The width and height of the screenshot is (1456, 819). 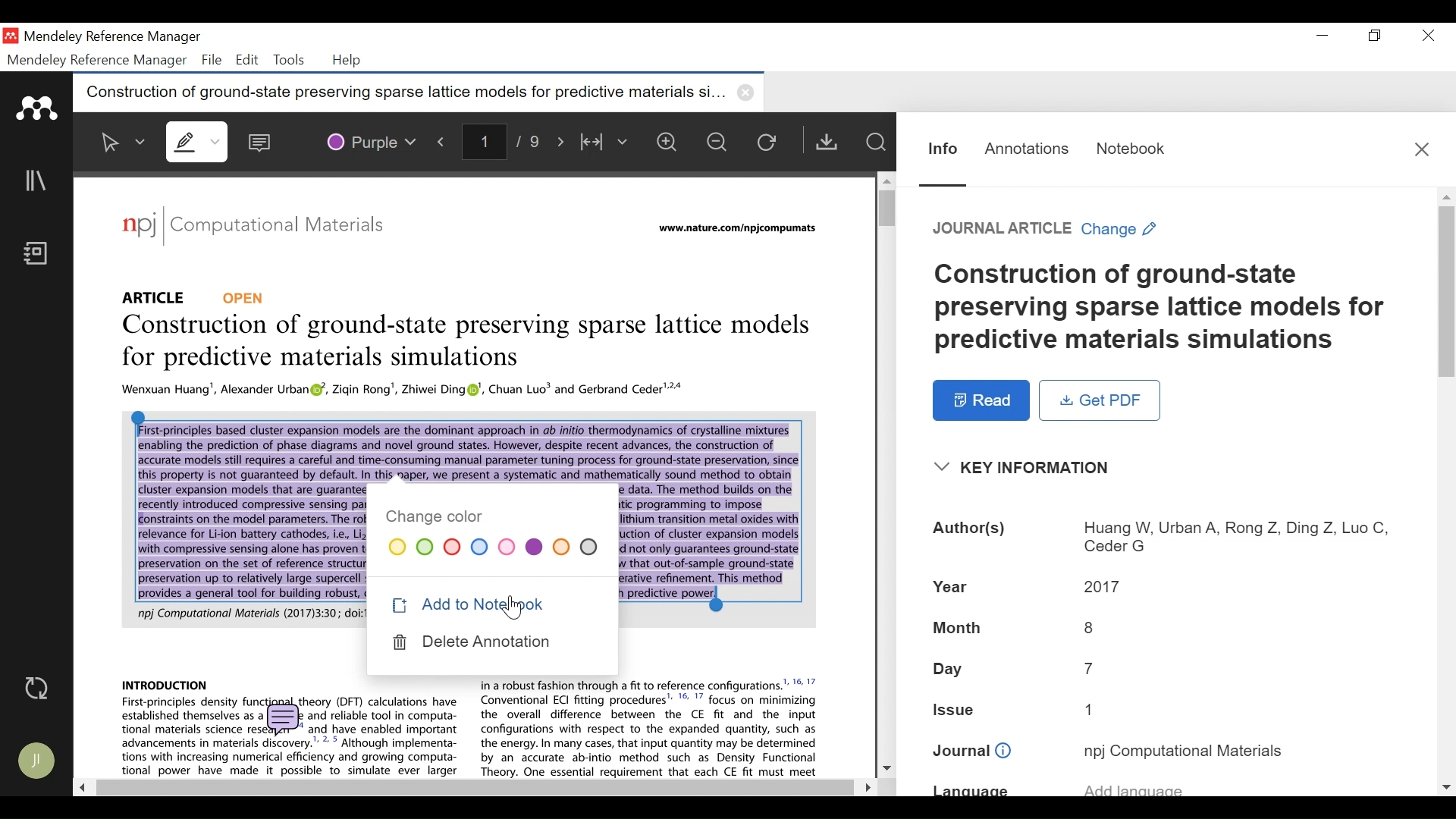 What do you see at coordinates (80, 786) in the screenshot?
I see `Scroll Left` at bounding box center [80, 786].